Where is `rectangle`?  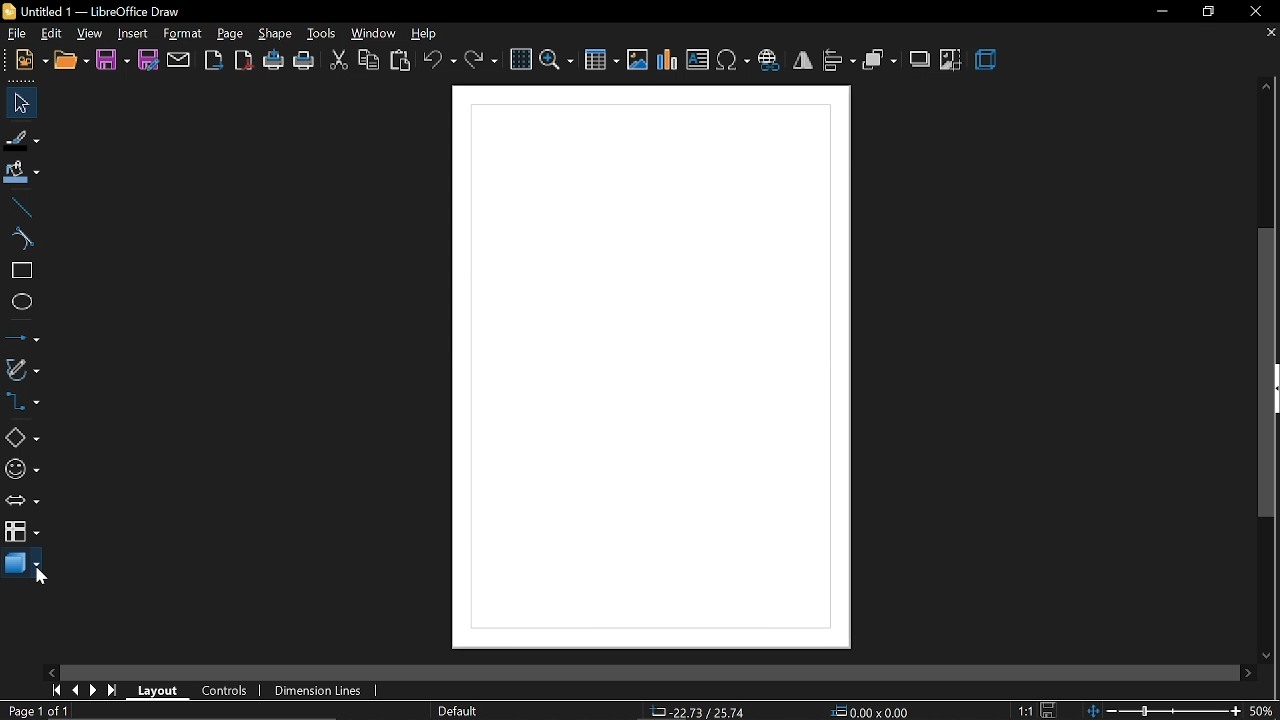 rectangle is located at coordinates (21, 272).